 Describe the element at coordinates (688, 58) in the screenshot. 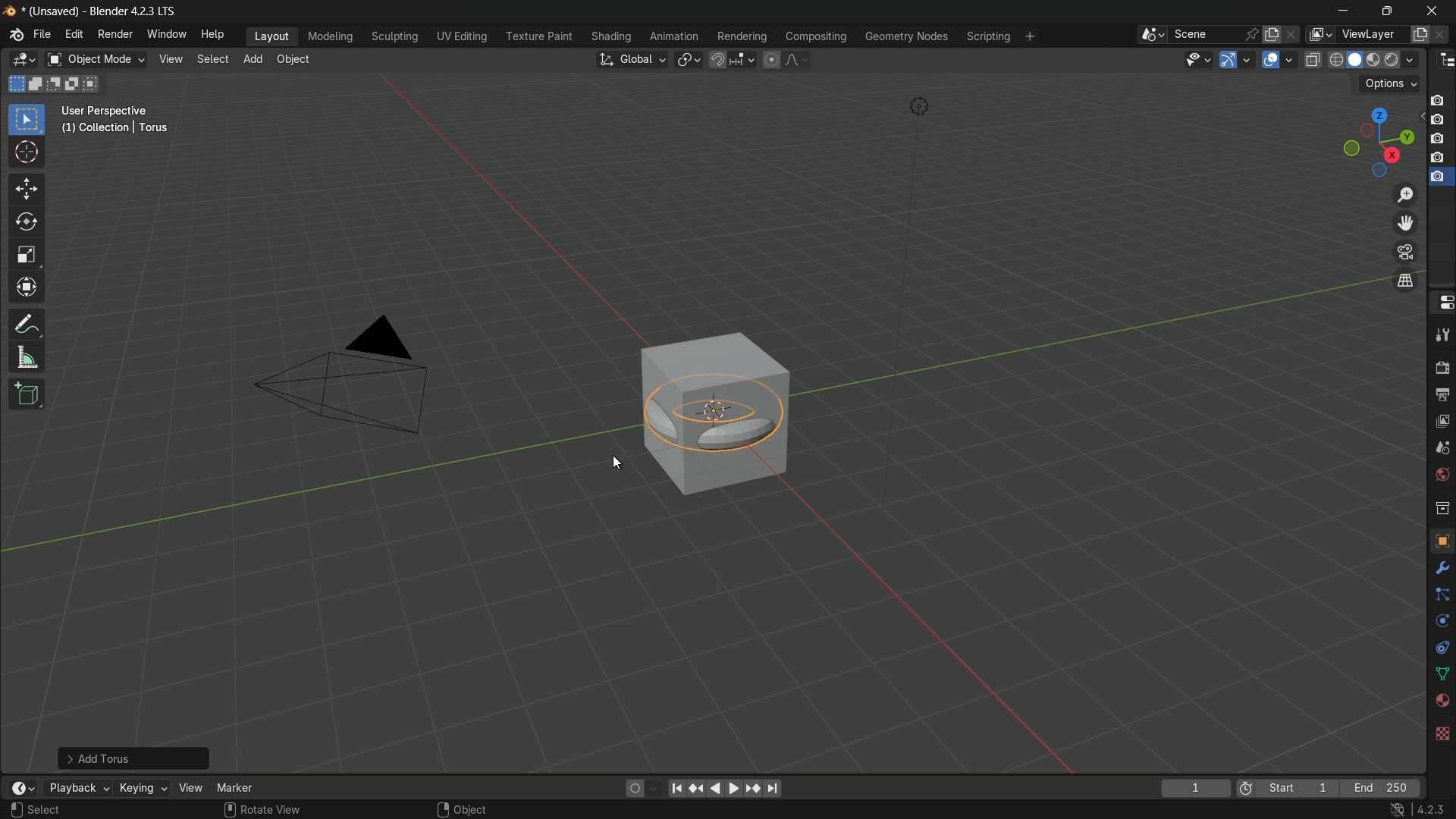

I see `transform pivot table` at that location.